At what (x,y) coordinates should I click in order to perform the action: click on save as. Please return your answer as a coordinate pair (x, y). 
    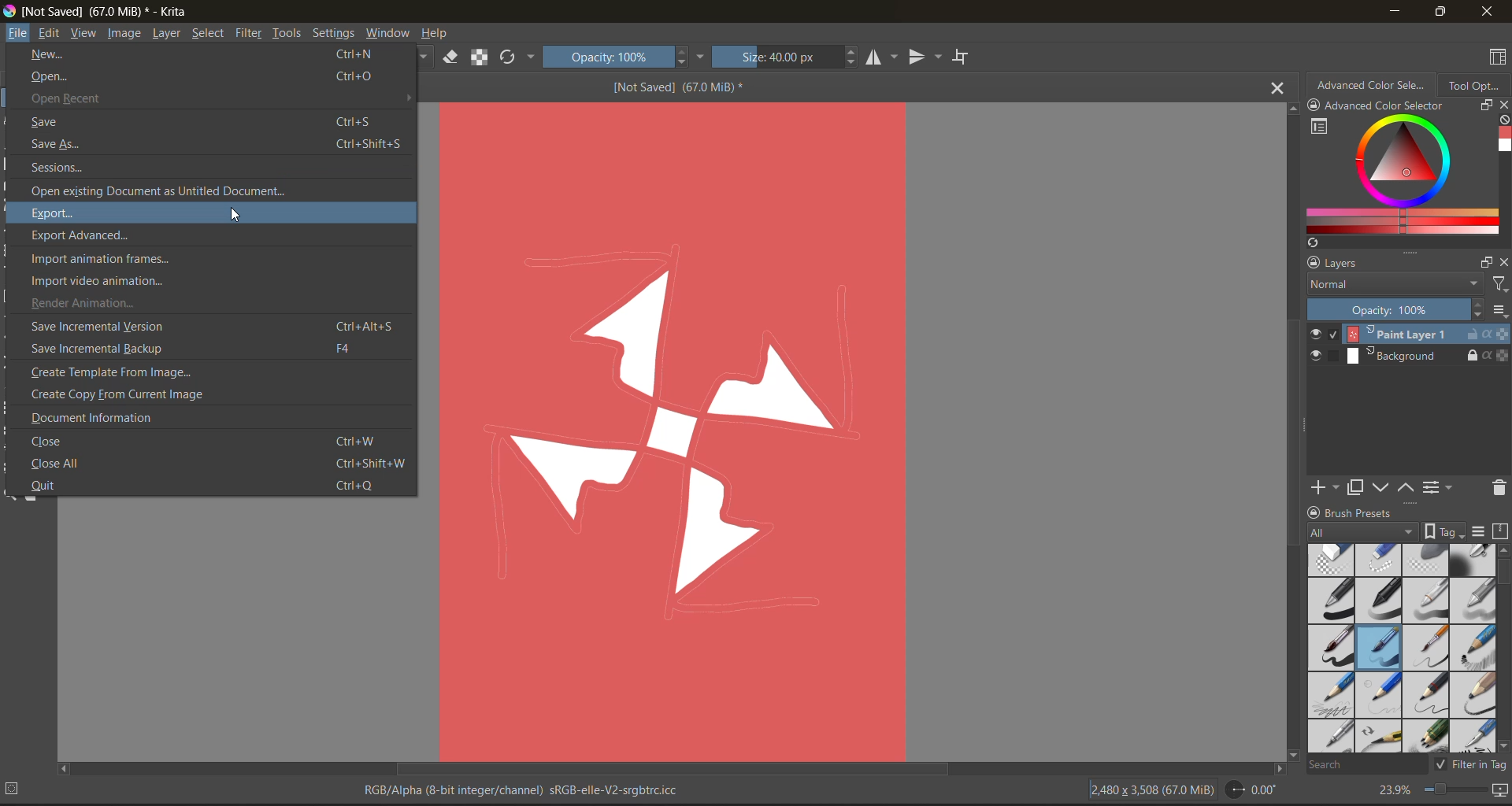
    Looking at the image, I should click on (224, 145).